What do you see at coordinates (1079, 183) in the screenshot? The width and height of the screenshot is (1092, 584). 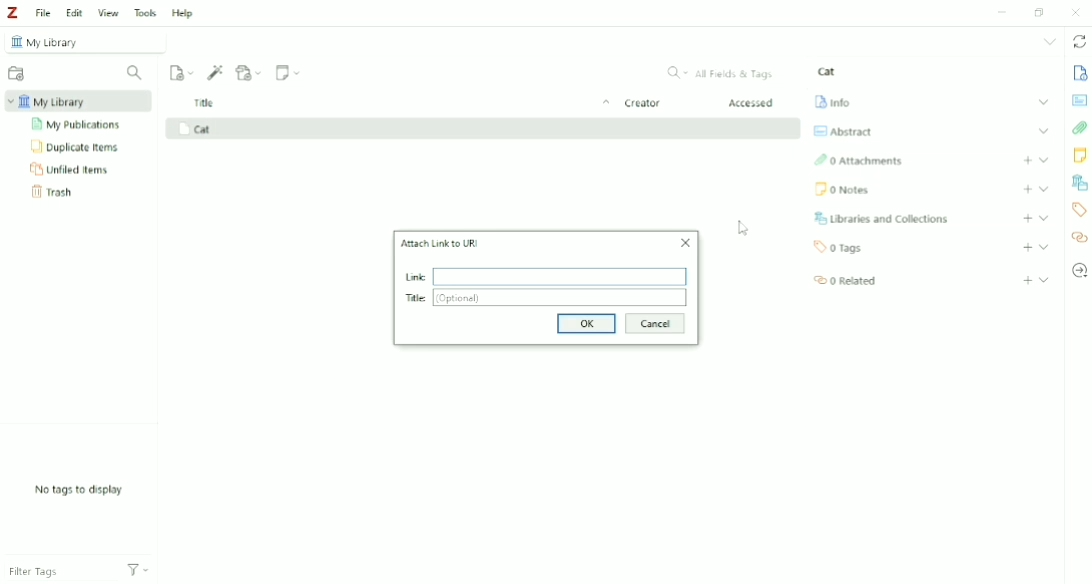 I see `Libraries and Collections` at bounding box center [1079, 183].